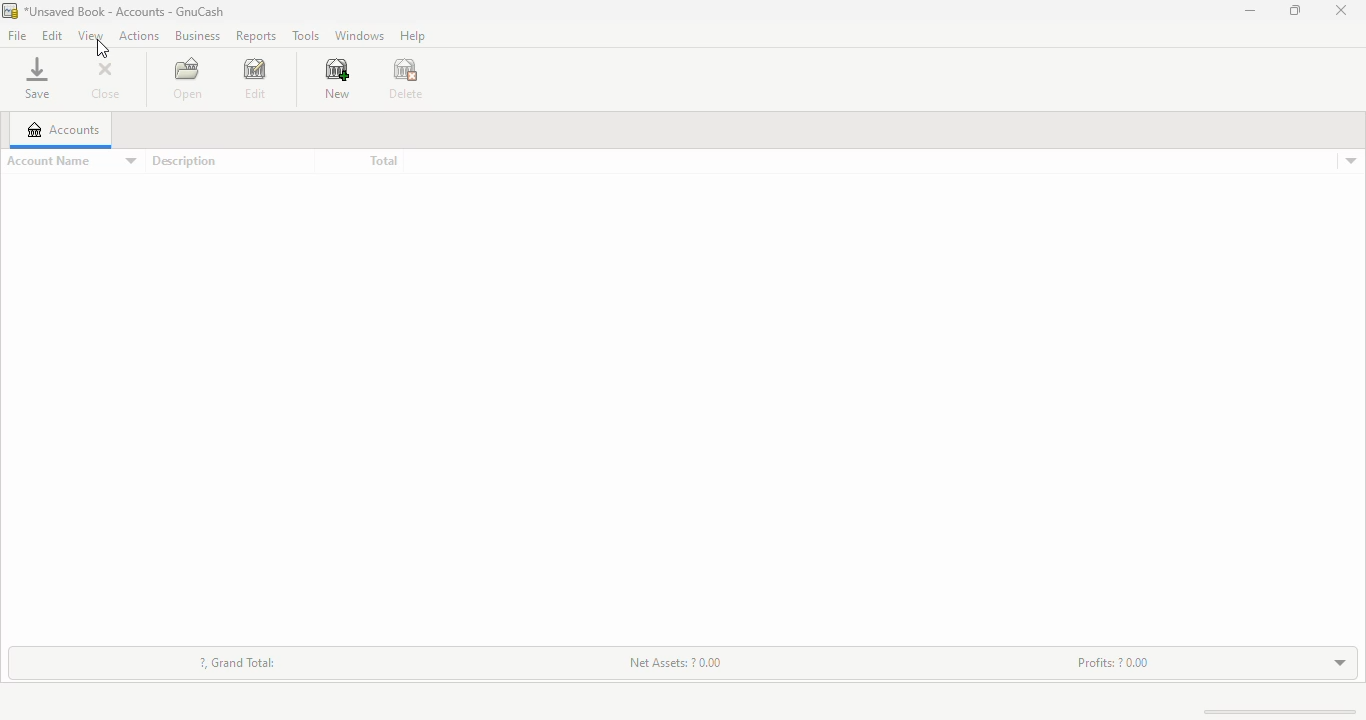  I want to click on delete, so click(406, 79).